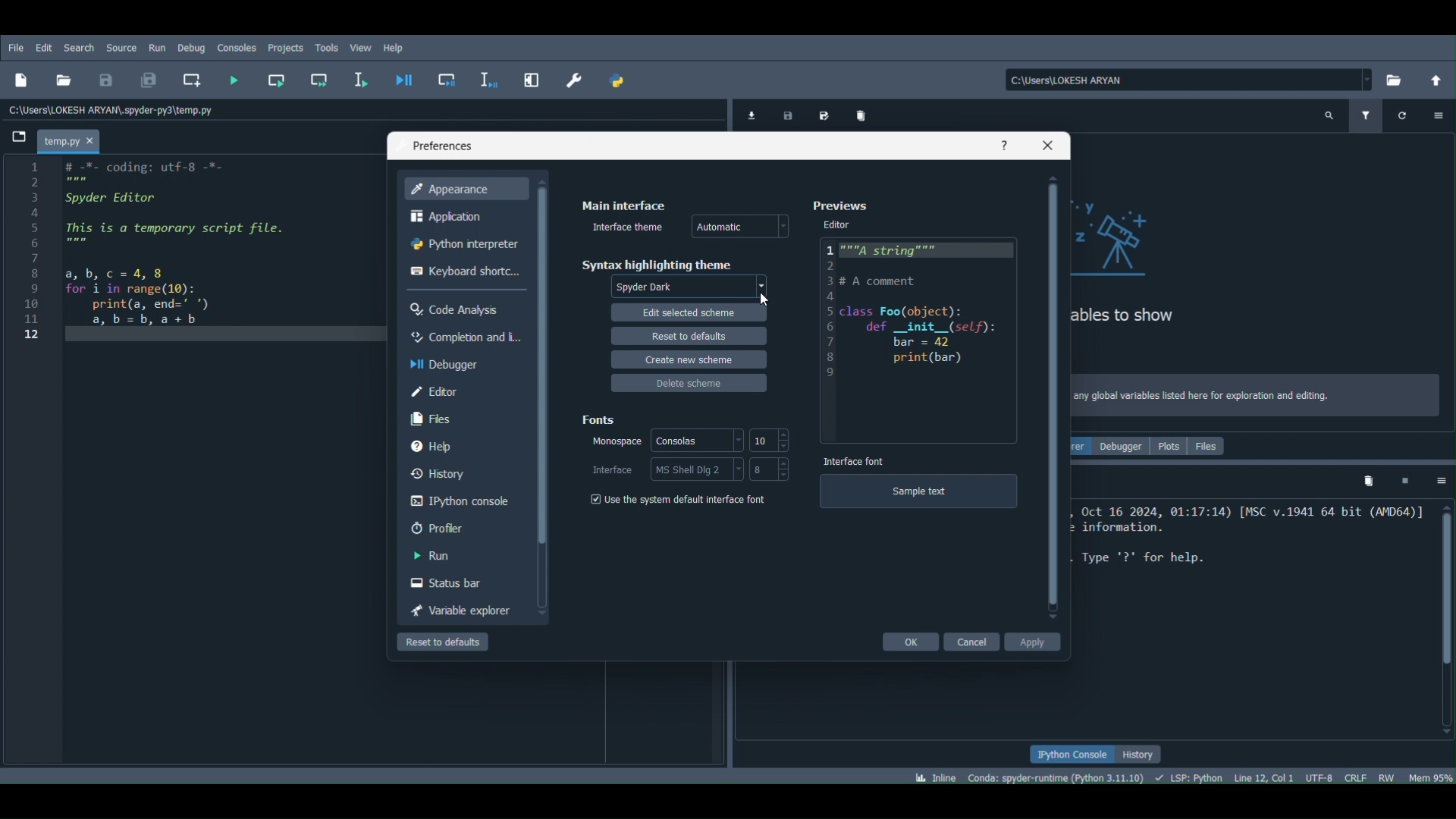  What do you see at coordinates (919, 497) in the screenshot?
I see `Sample text` at bounding box center [919, 497].